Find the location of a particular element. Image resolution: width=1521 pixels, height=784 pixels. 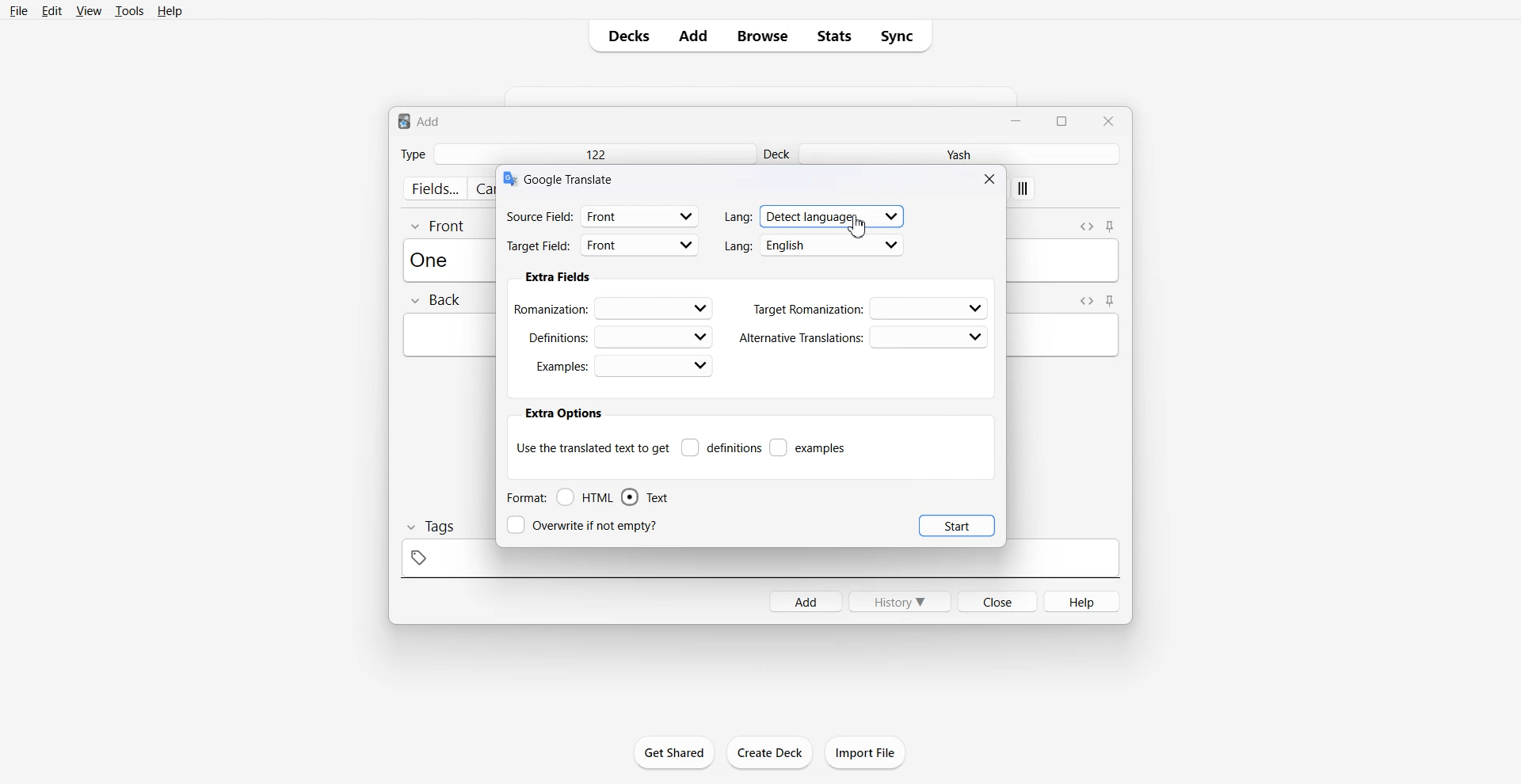

Type is located at coordinates (413, 154).